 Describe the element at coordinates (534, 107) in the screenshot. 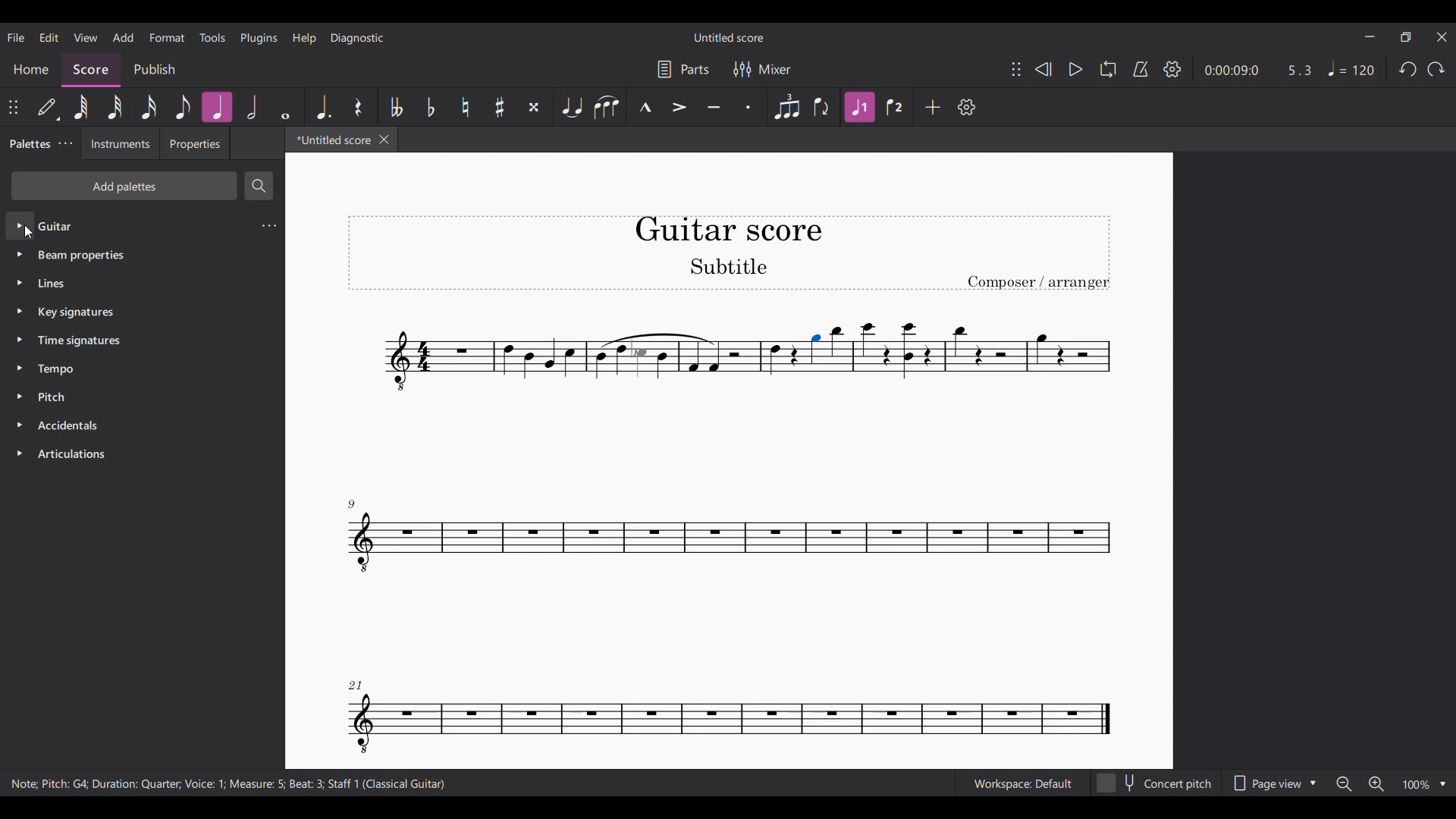

I see `Toggle double sharp` at that location.